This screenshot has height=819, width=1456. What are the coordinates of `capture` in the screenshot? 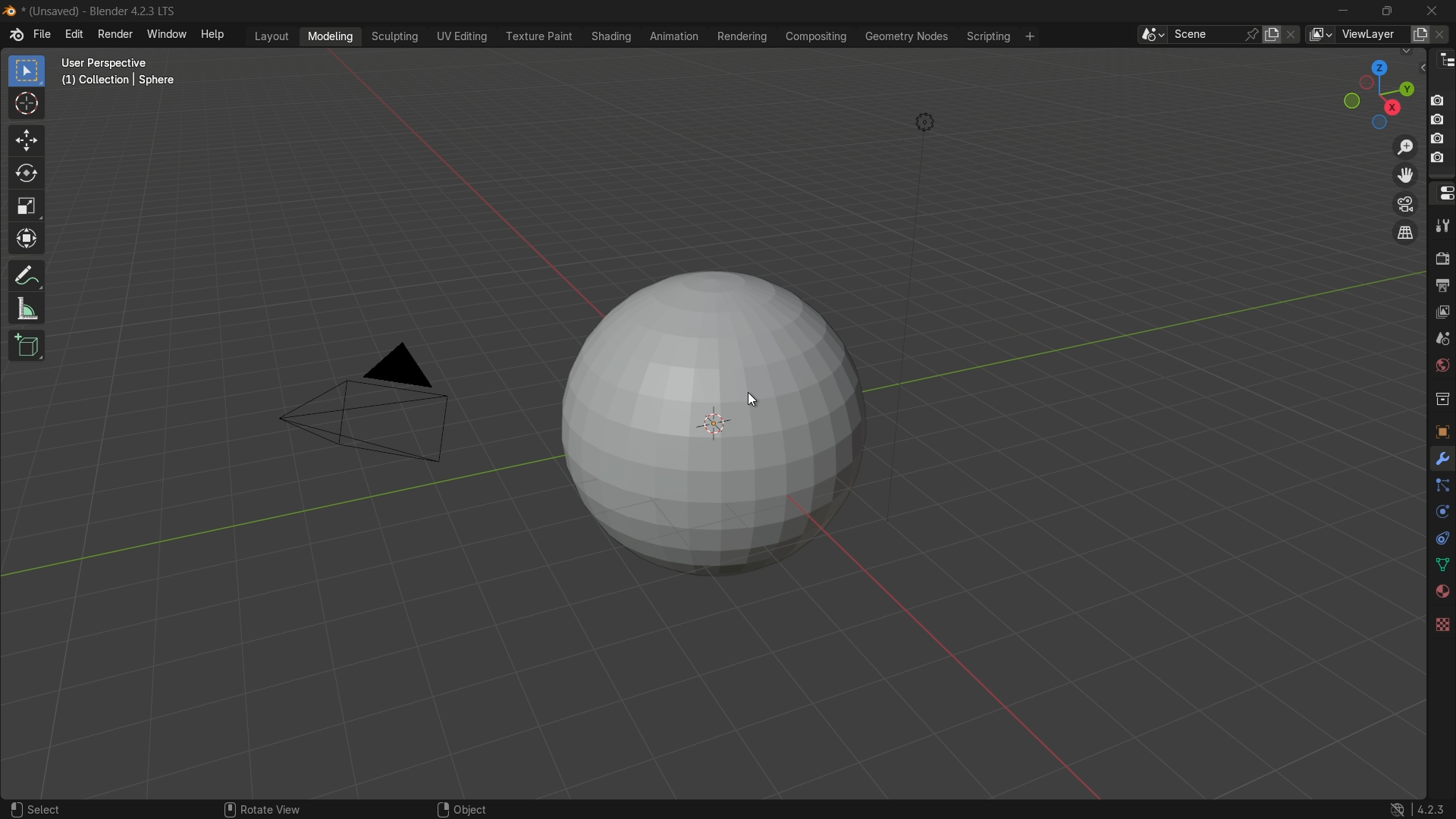 It's located at (1441, 140).